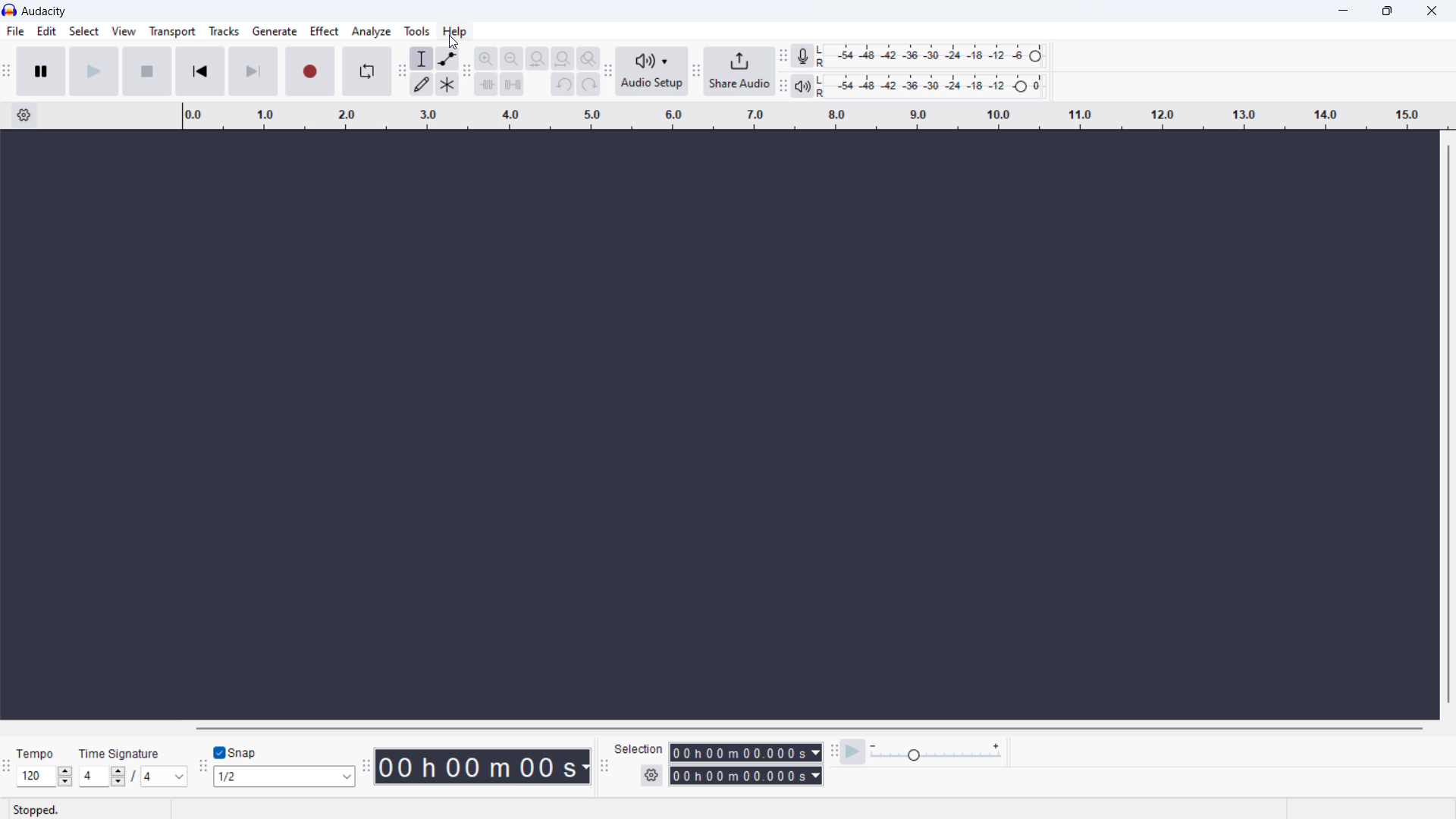 This screenshot has height=819, width=1456. What do you see at coordinates (482, 766) in the screenshot?
I see `timestamp` at bounding box center [482, 766].